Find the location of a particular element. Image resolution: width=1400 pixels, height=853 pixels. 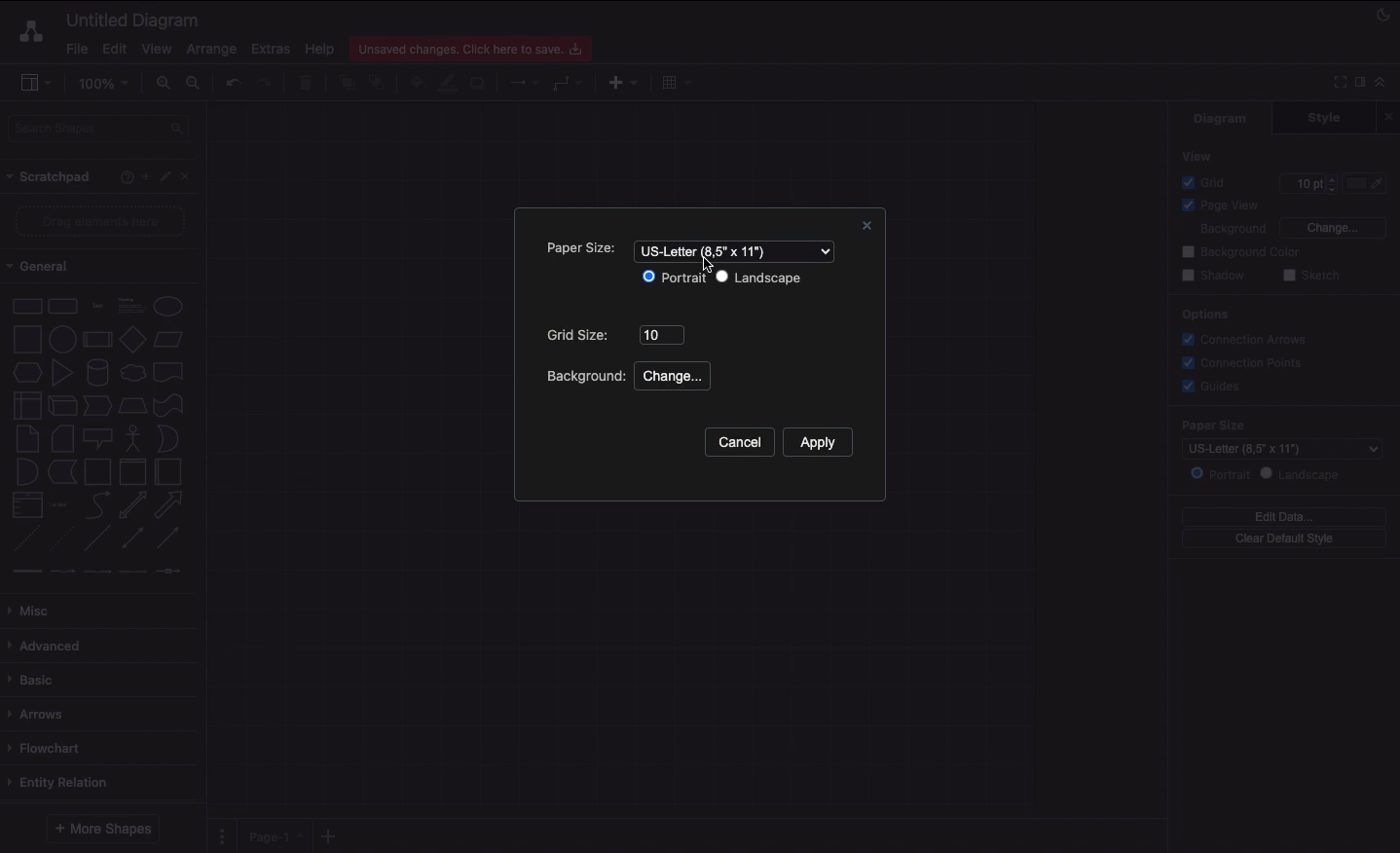

File is located at coordinates (75, 49).